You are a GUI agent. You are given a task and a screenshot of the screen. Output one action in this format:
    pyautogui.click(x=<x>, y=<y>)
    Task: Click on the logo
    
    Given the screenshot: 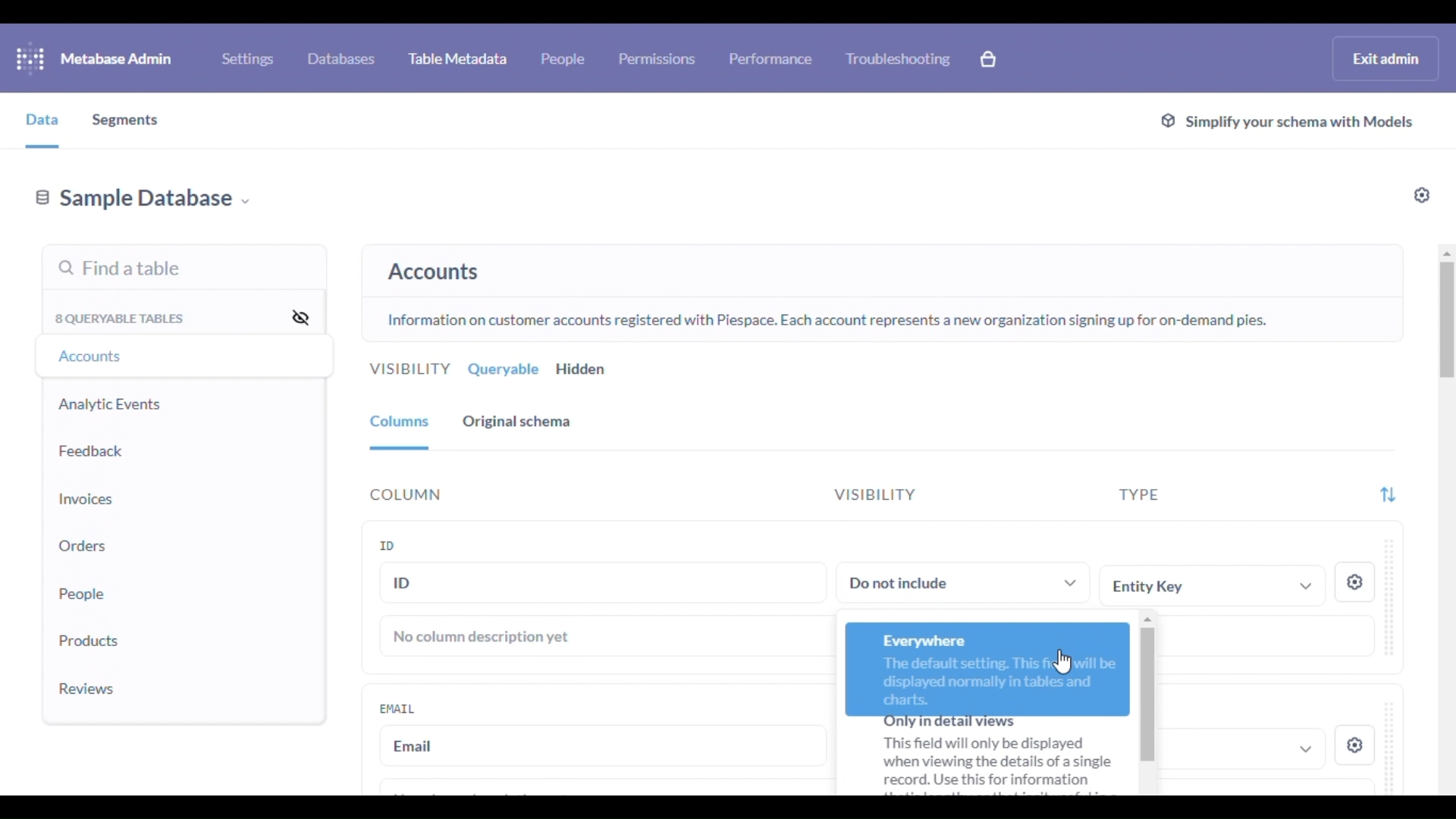 What is the action you would take?
    pyautogui.click(x=30, y=58)
    